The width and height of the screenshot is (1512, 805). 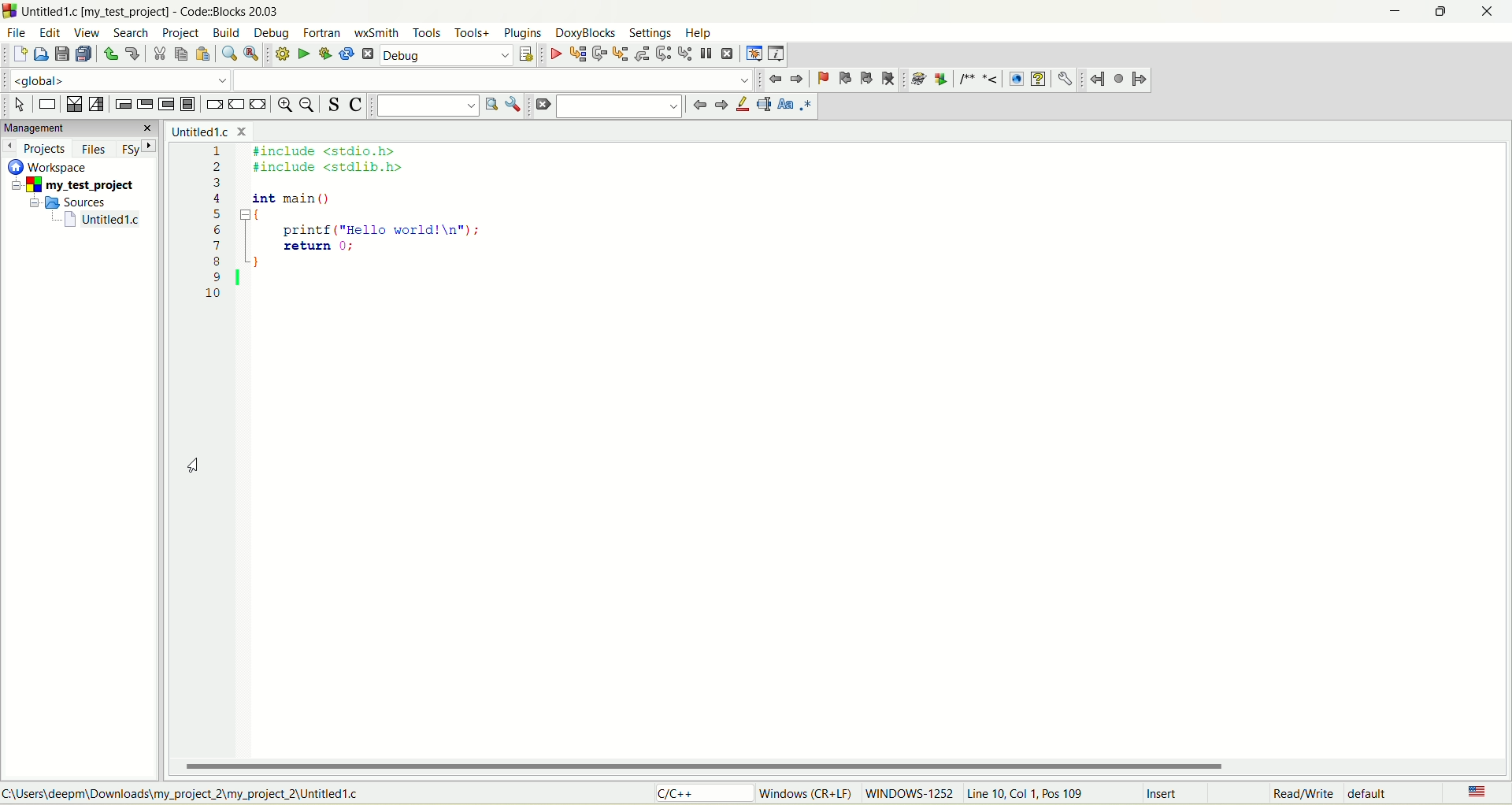 What do you see at coordinates (309, 105) in the screenshot?
I see `zoom out` at bounding box center [309, 105].